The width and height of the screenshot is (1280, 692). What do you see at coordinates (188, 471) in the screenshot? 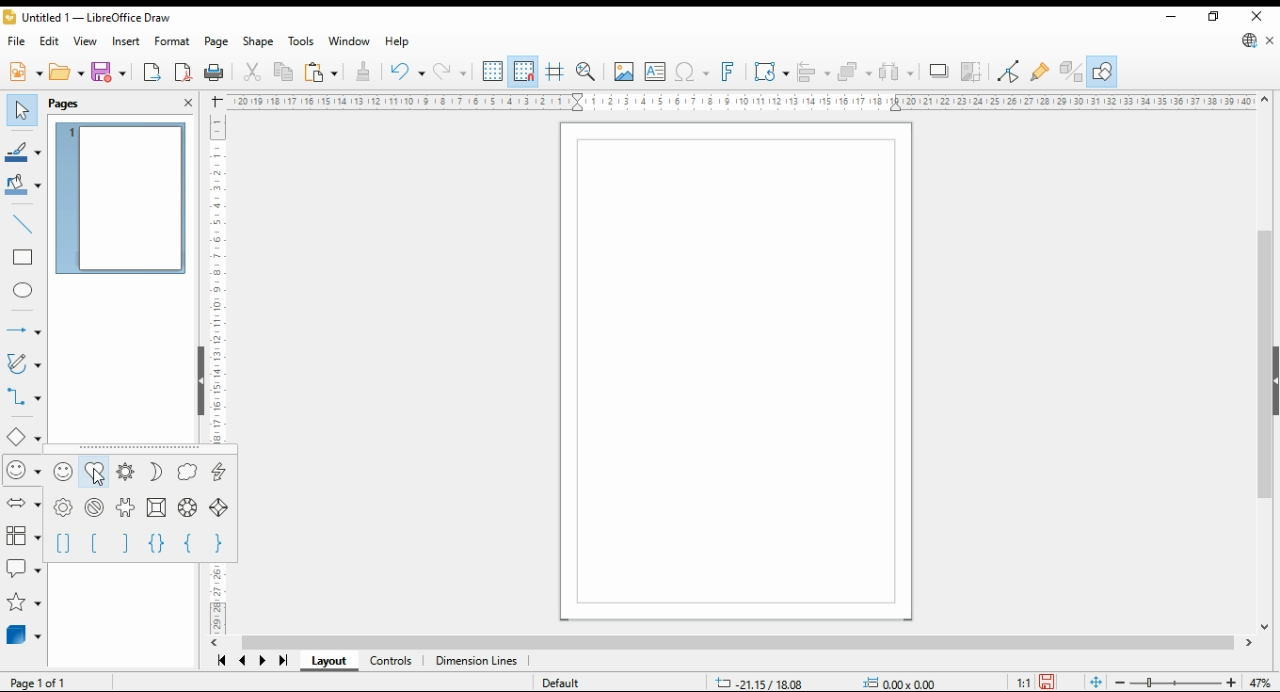
I see `clouds` at bounding box center [188, 471].